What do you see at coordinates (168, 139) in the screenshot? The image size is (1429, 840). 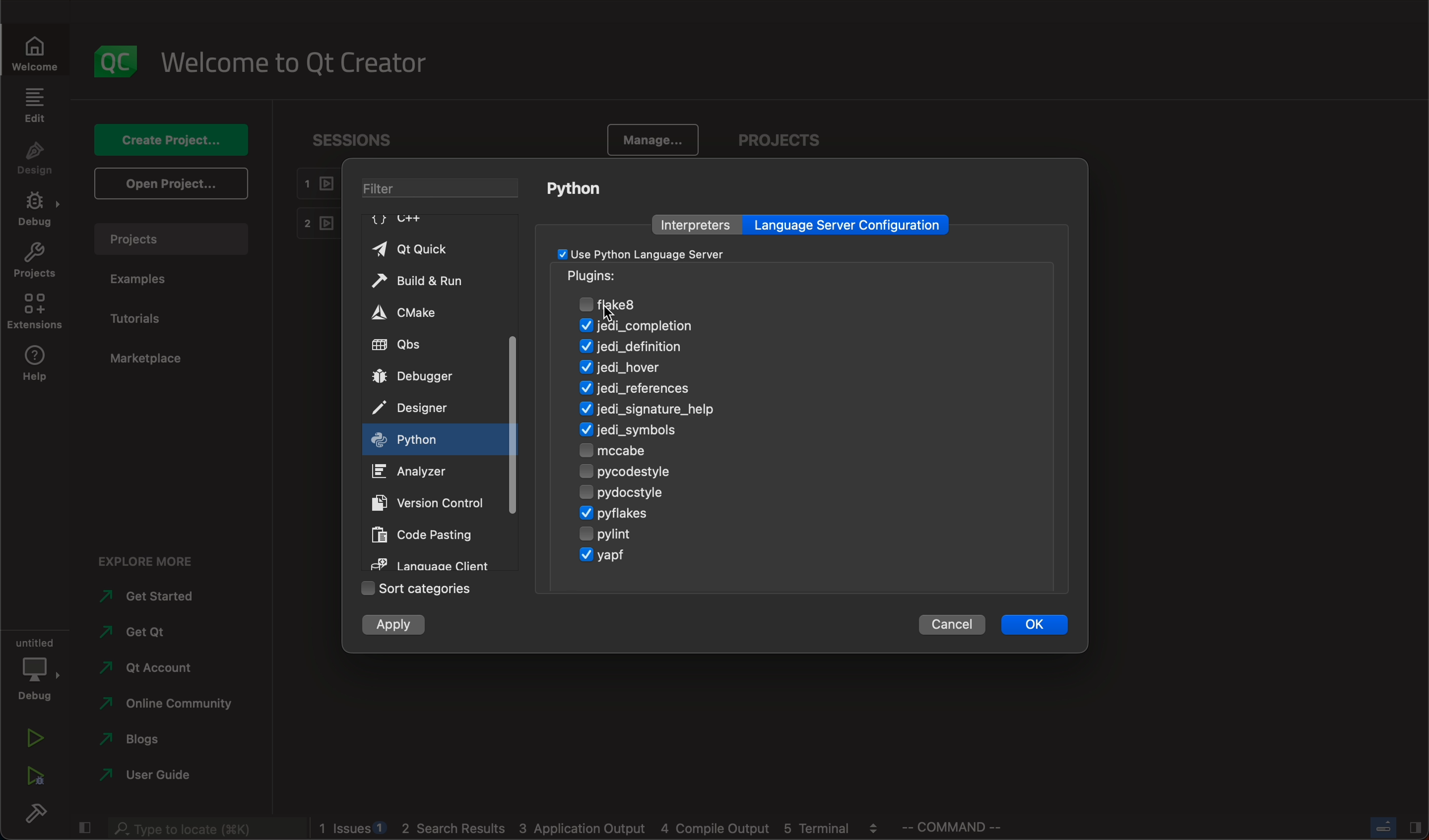 I see `create` at bounding box center [168, 139].